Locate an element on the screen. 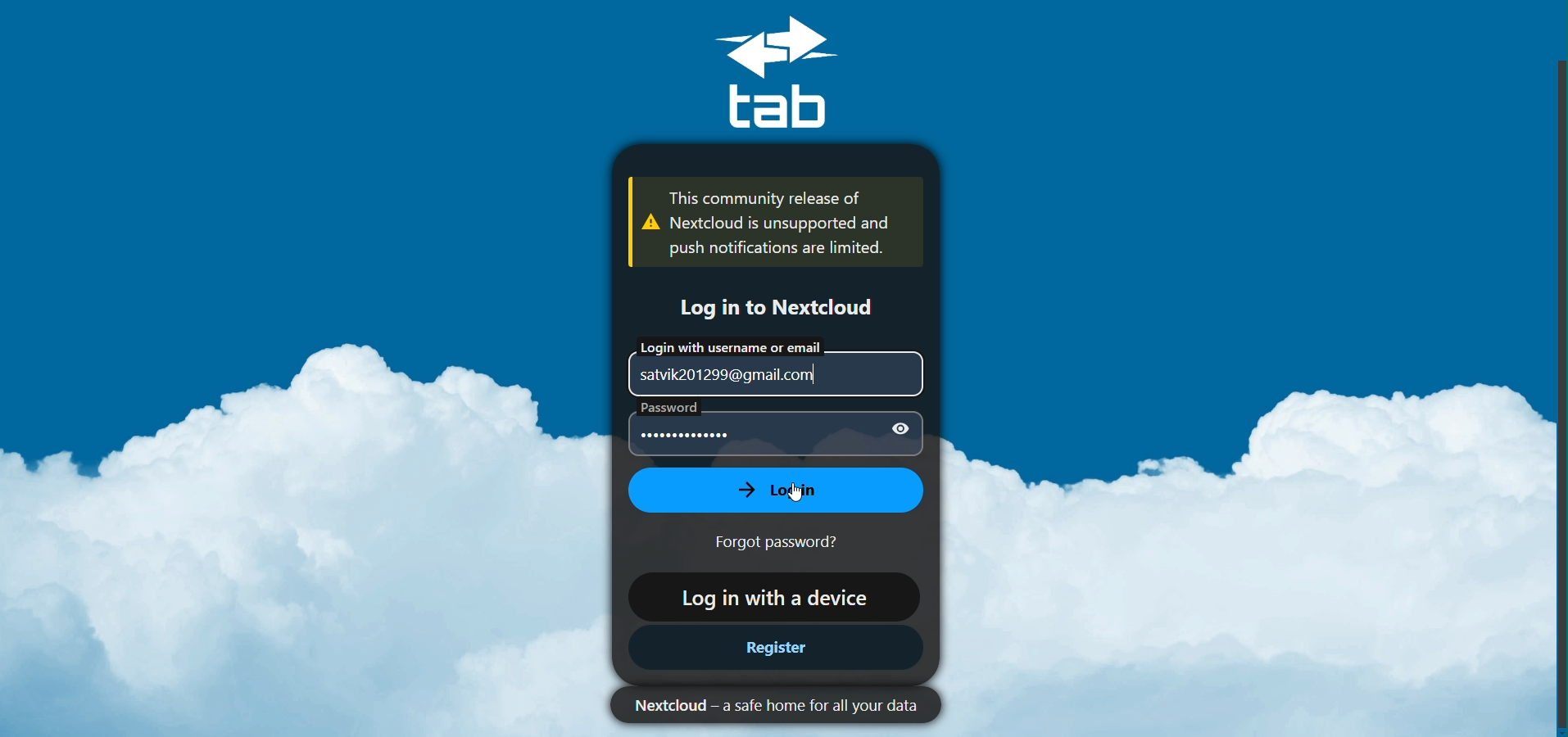  tab Logo is located at coordinates (795, 73).